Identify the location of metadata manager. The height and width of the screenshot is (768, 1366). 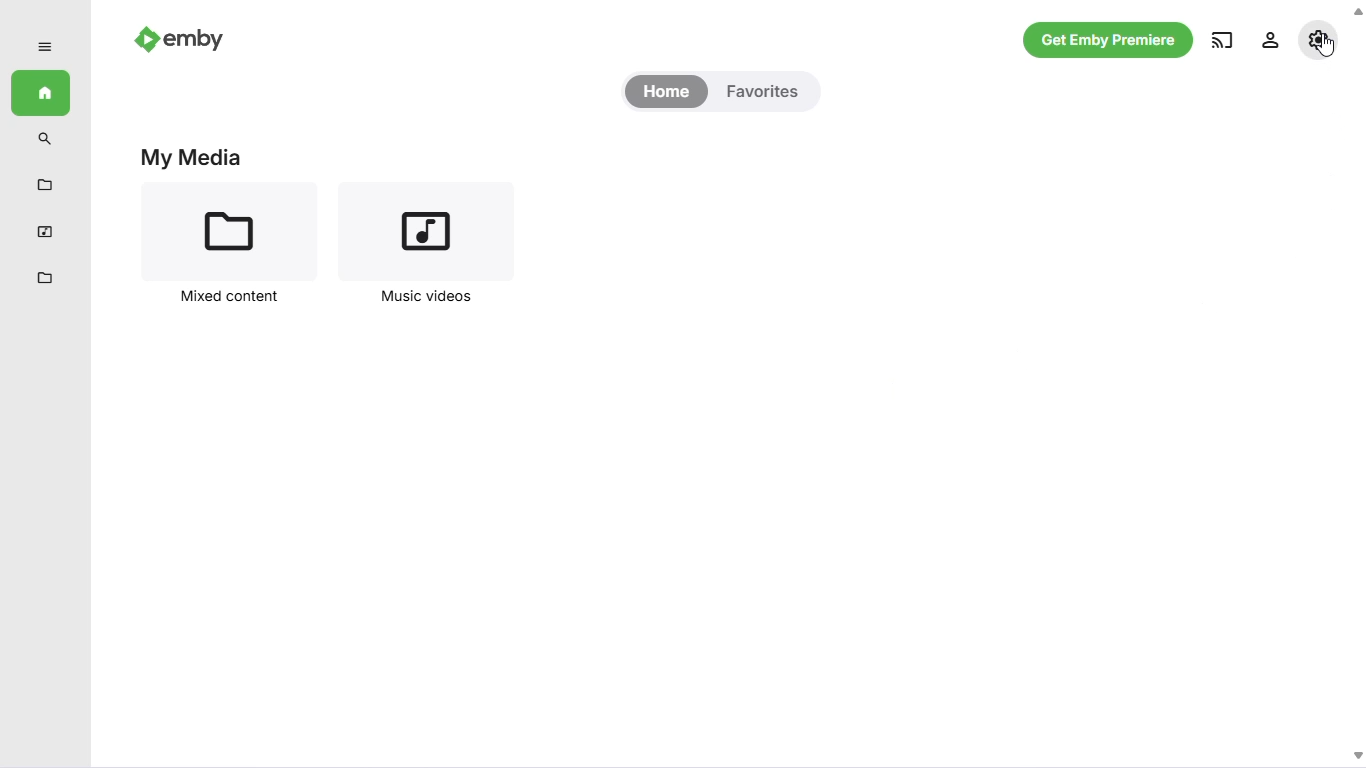
(46, 185).